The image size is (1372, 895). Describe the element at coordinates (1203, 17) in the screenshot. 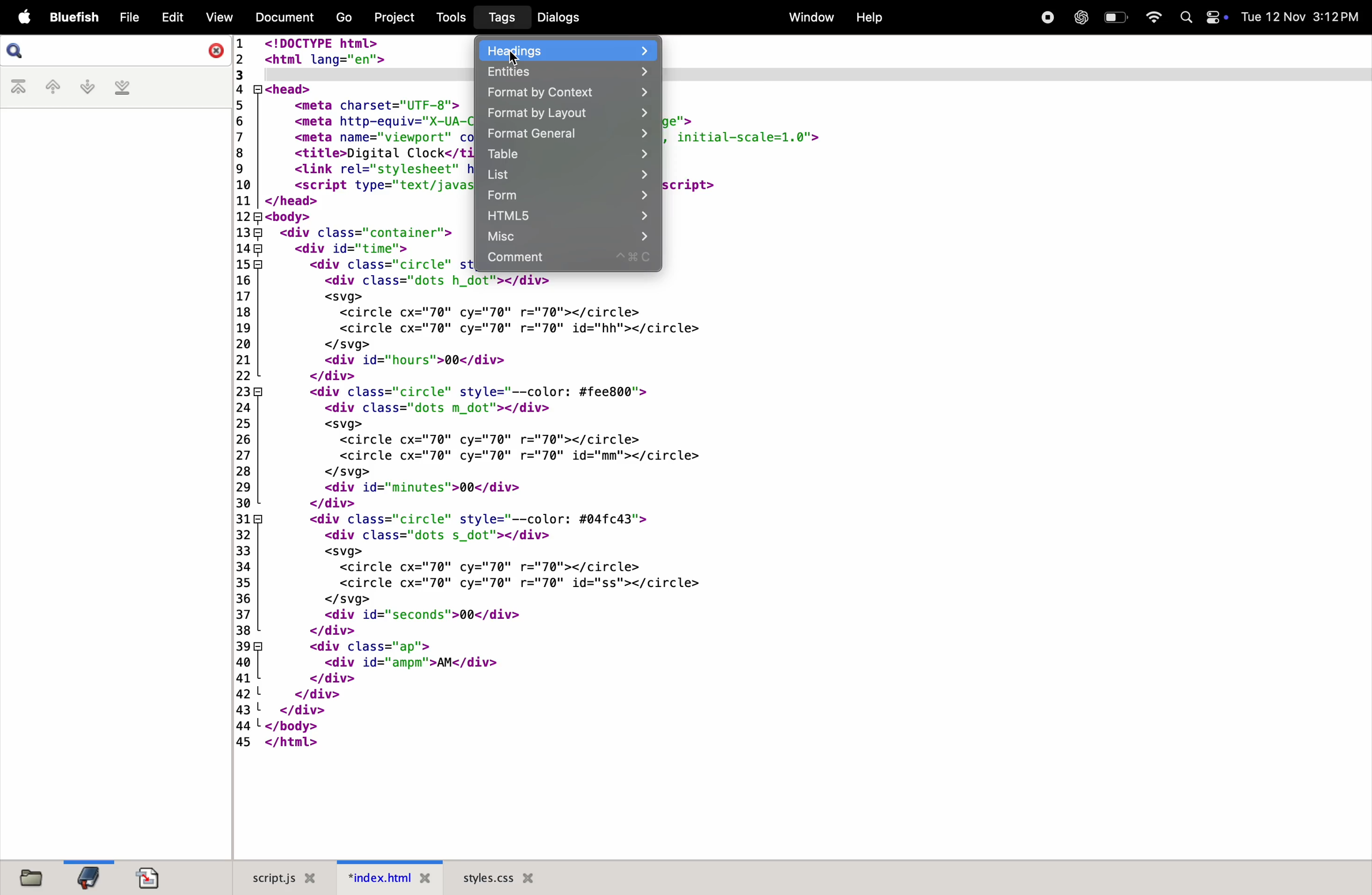

I see `apple widgets` at that location.